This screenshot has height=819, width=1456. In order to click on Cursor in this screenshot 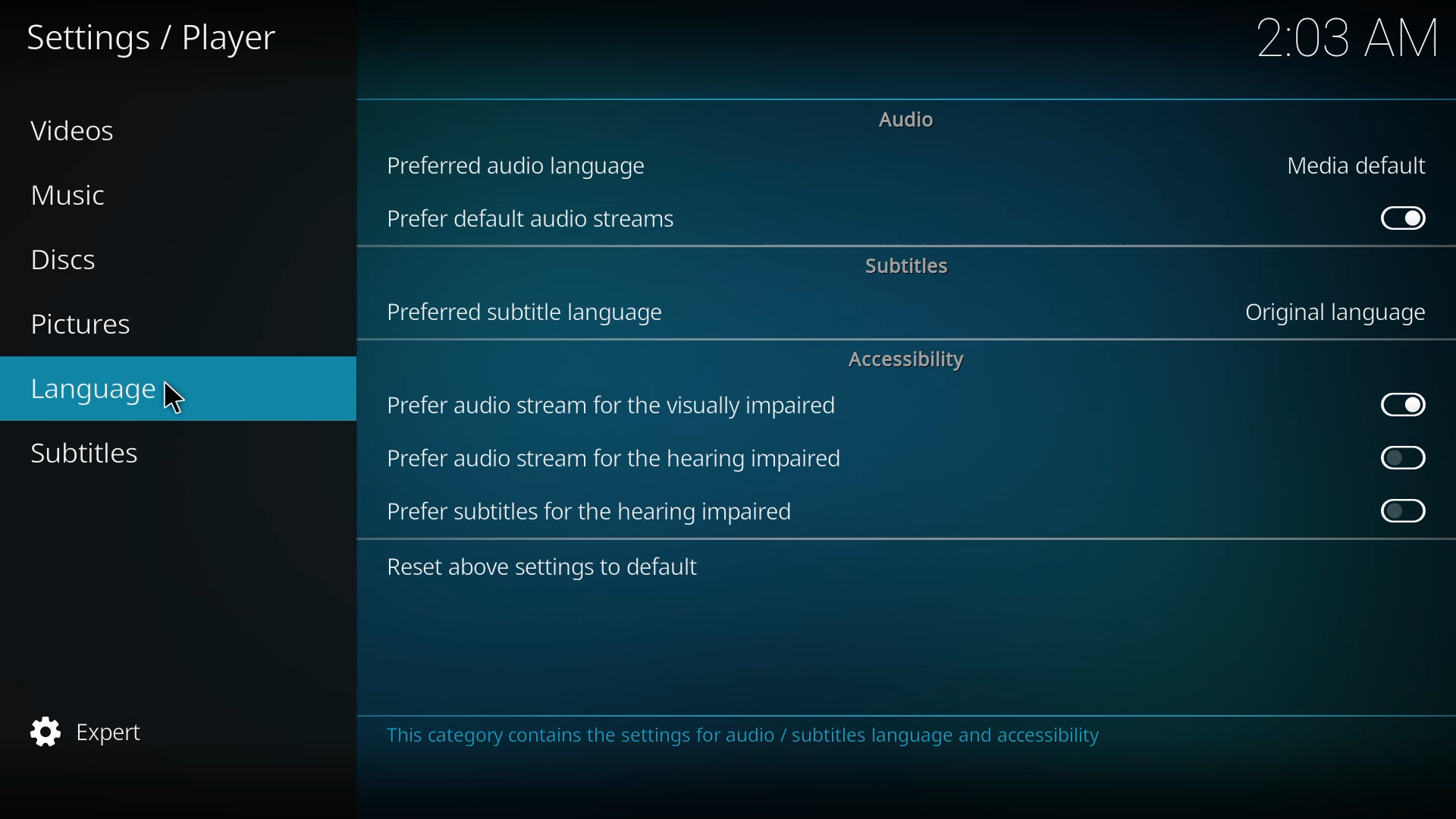, I will do `click(174, 398)`.